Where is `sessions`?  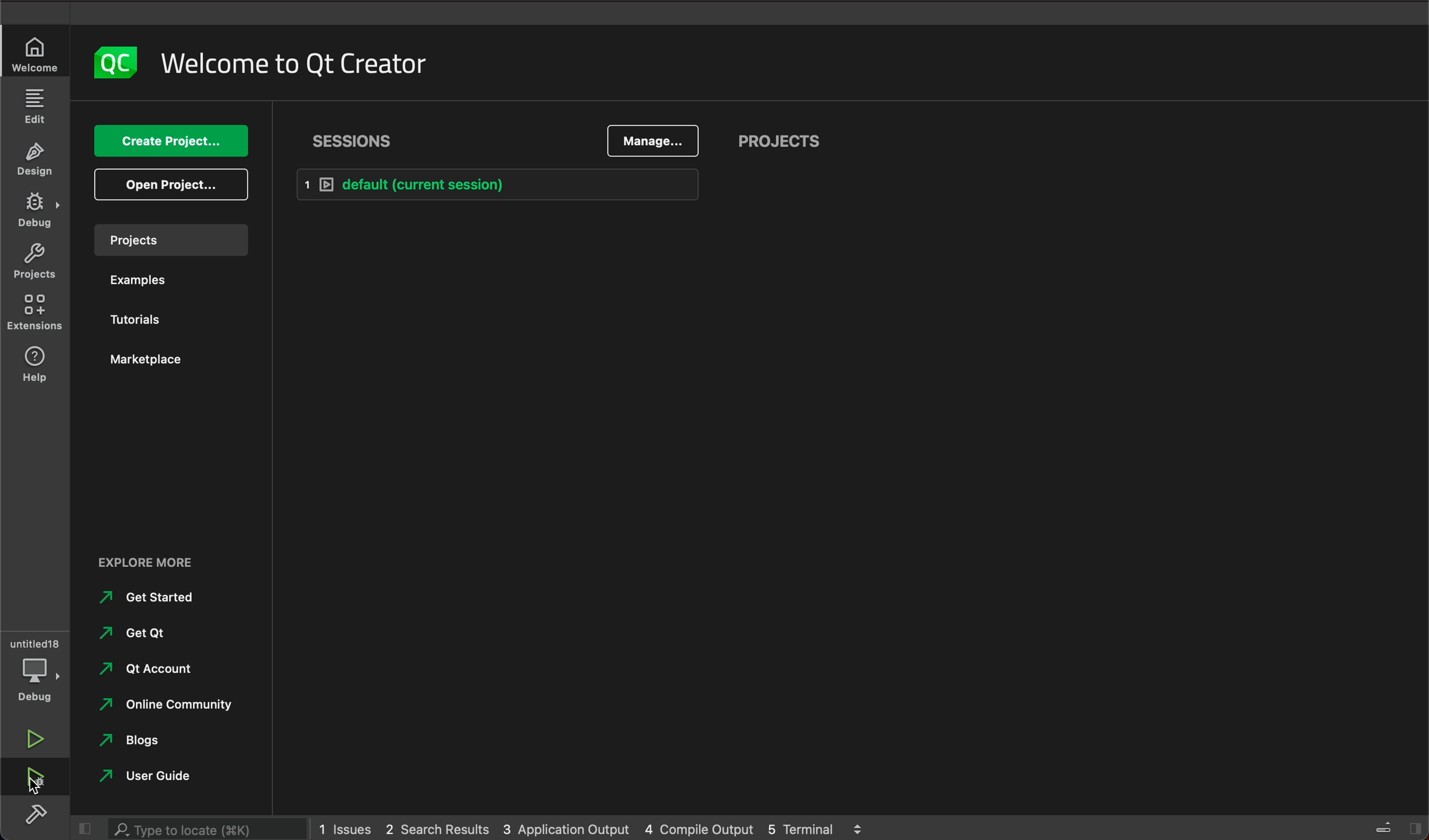 sessions is located at coordinates (360, 141).